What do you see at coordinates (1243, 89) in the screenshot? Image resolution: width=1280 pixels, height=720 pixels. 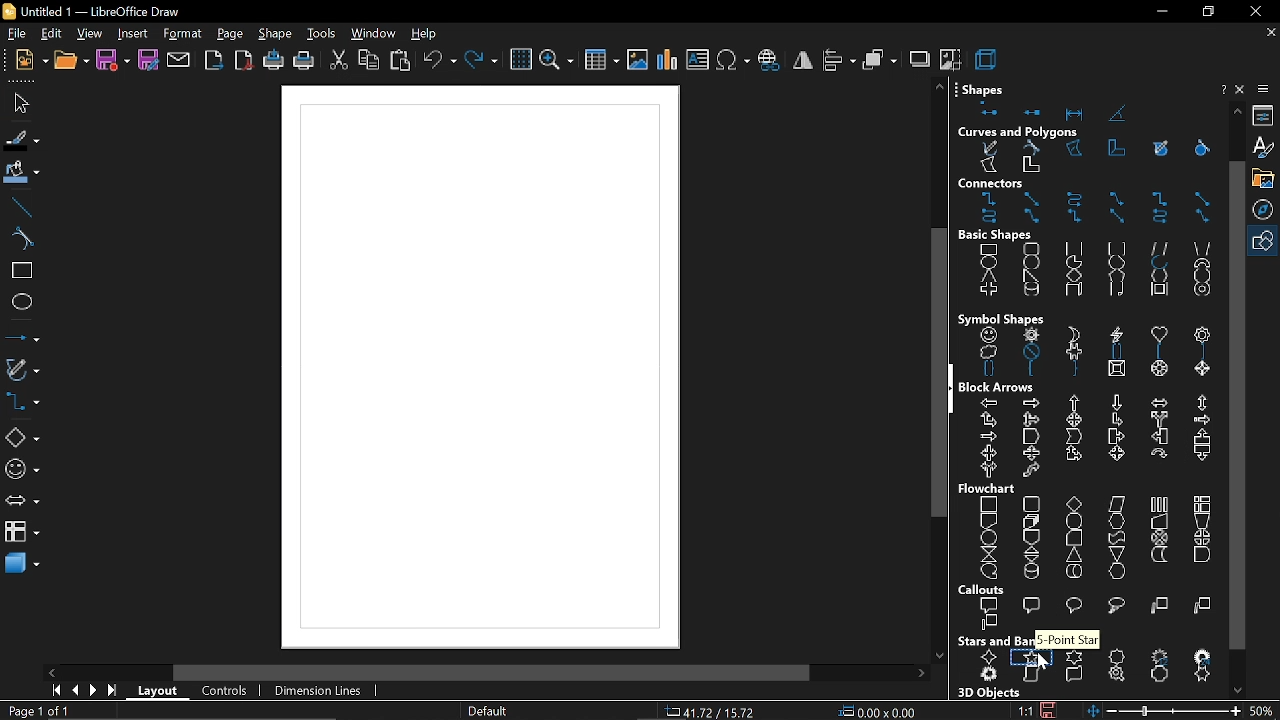 I see `close` at bounding box center [1243, 89].